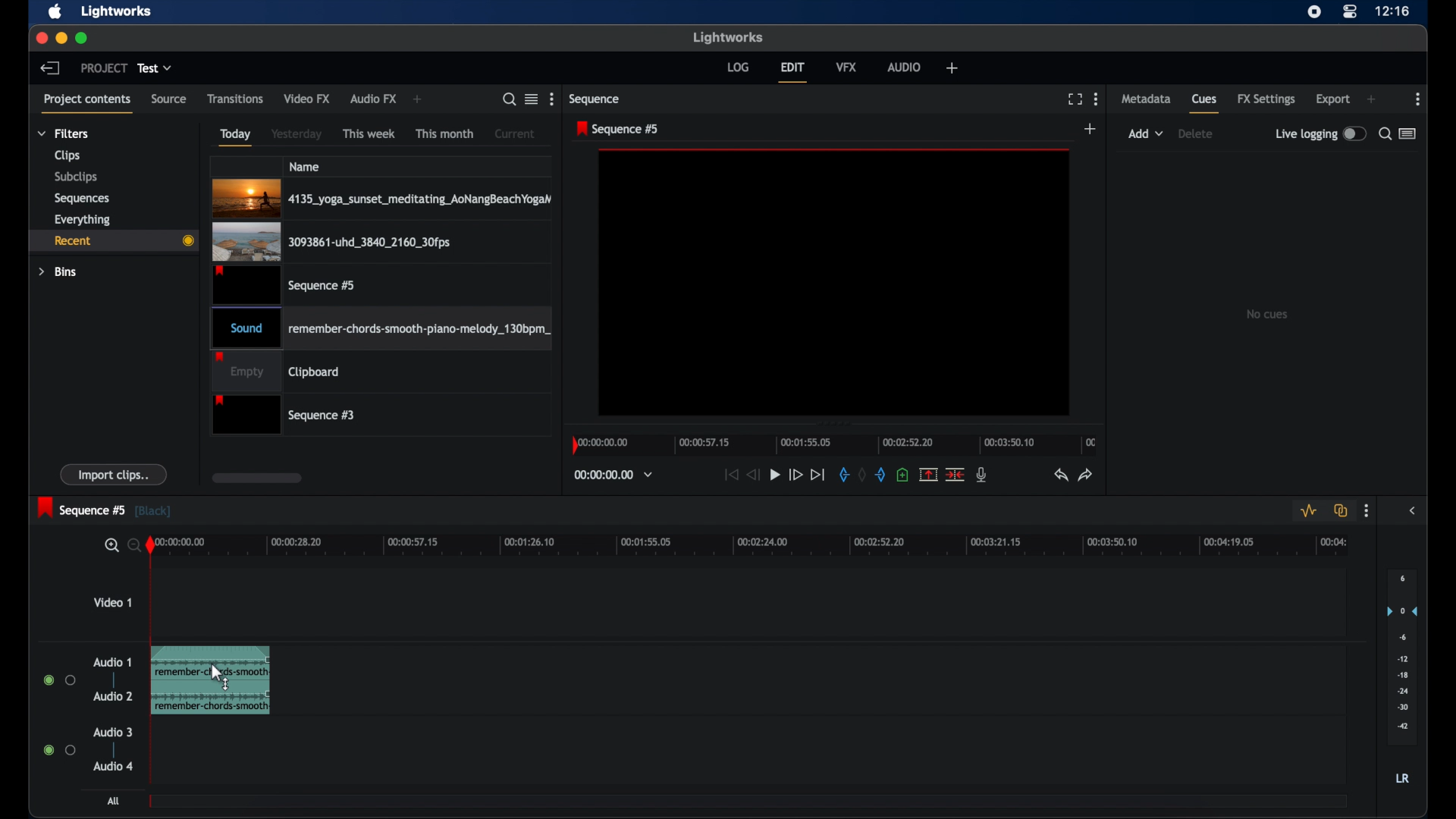 The image size is (1456, 819). I want to click on sidebar, so click(1414, 510).